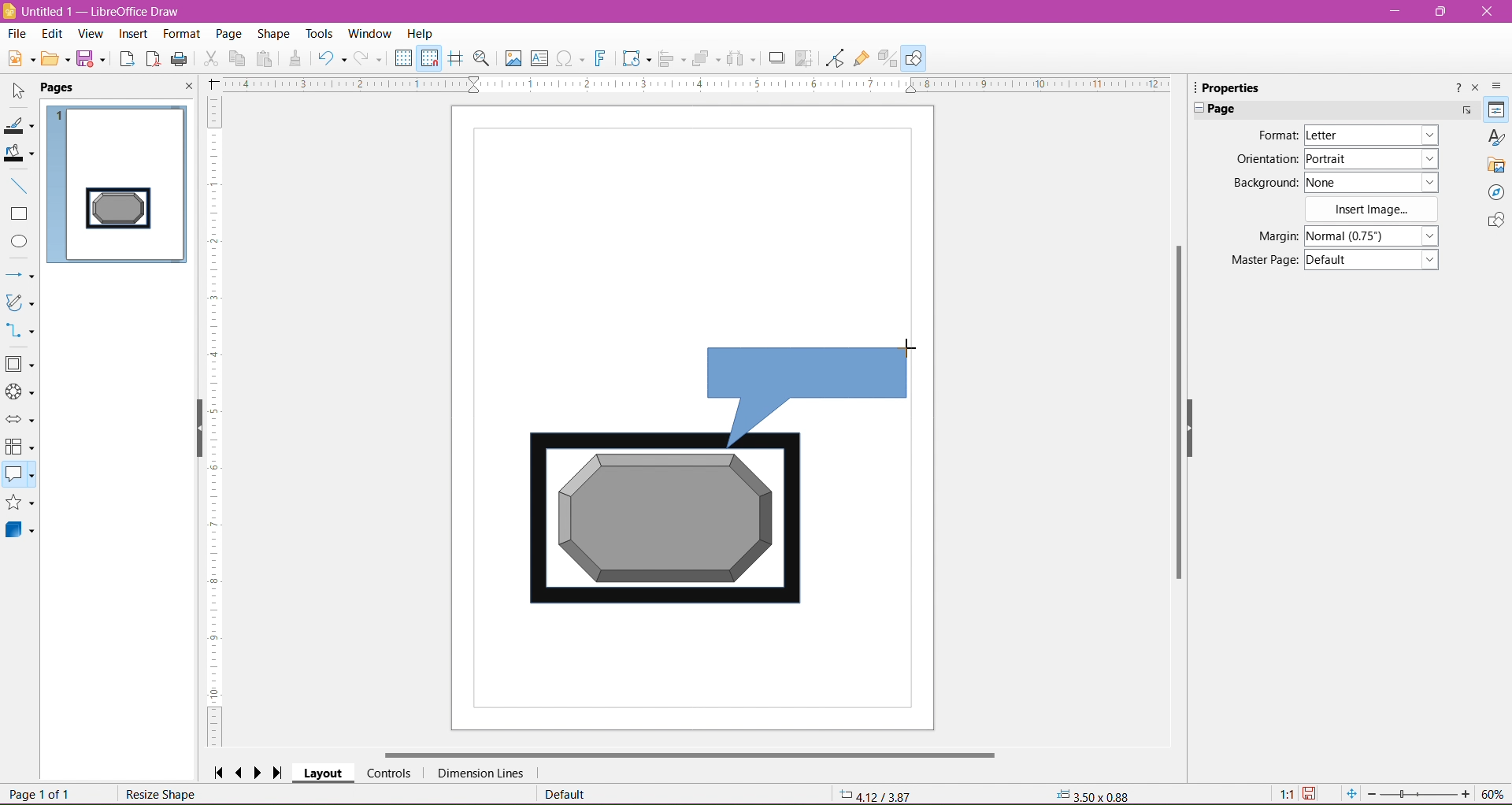 Image resolution: width=1512 pixels, height=805 pixels. Describe the element at coordinates (1266, 160) in the screenshot. I see `Orientation` at that location.